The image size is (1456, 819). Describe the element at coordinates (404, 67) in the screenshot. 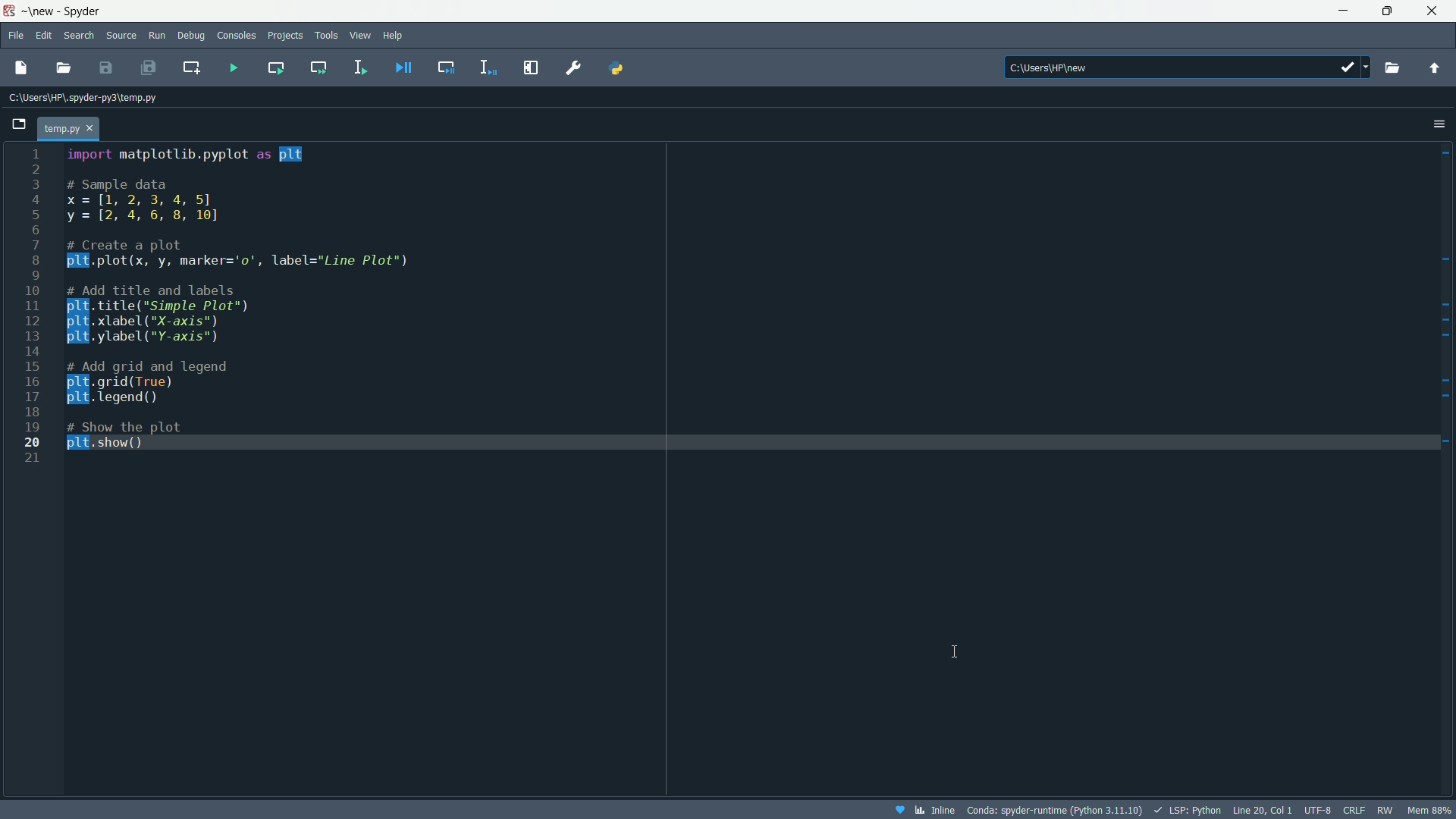

I see `debug file` at that location.